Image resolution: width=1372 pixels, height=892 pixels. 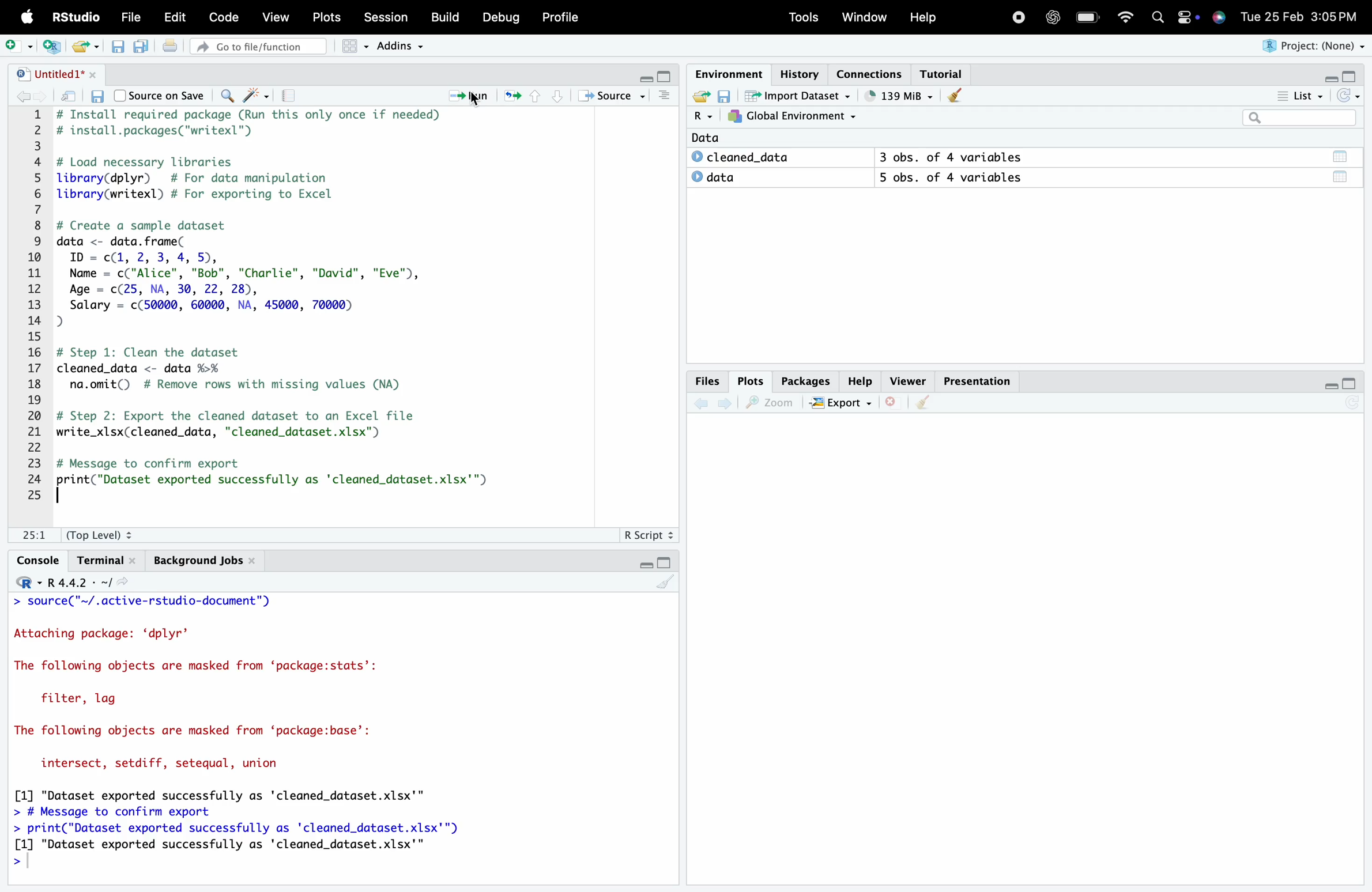 I want to click on Minimize, so click(x=647, y=79).